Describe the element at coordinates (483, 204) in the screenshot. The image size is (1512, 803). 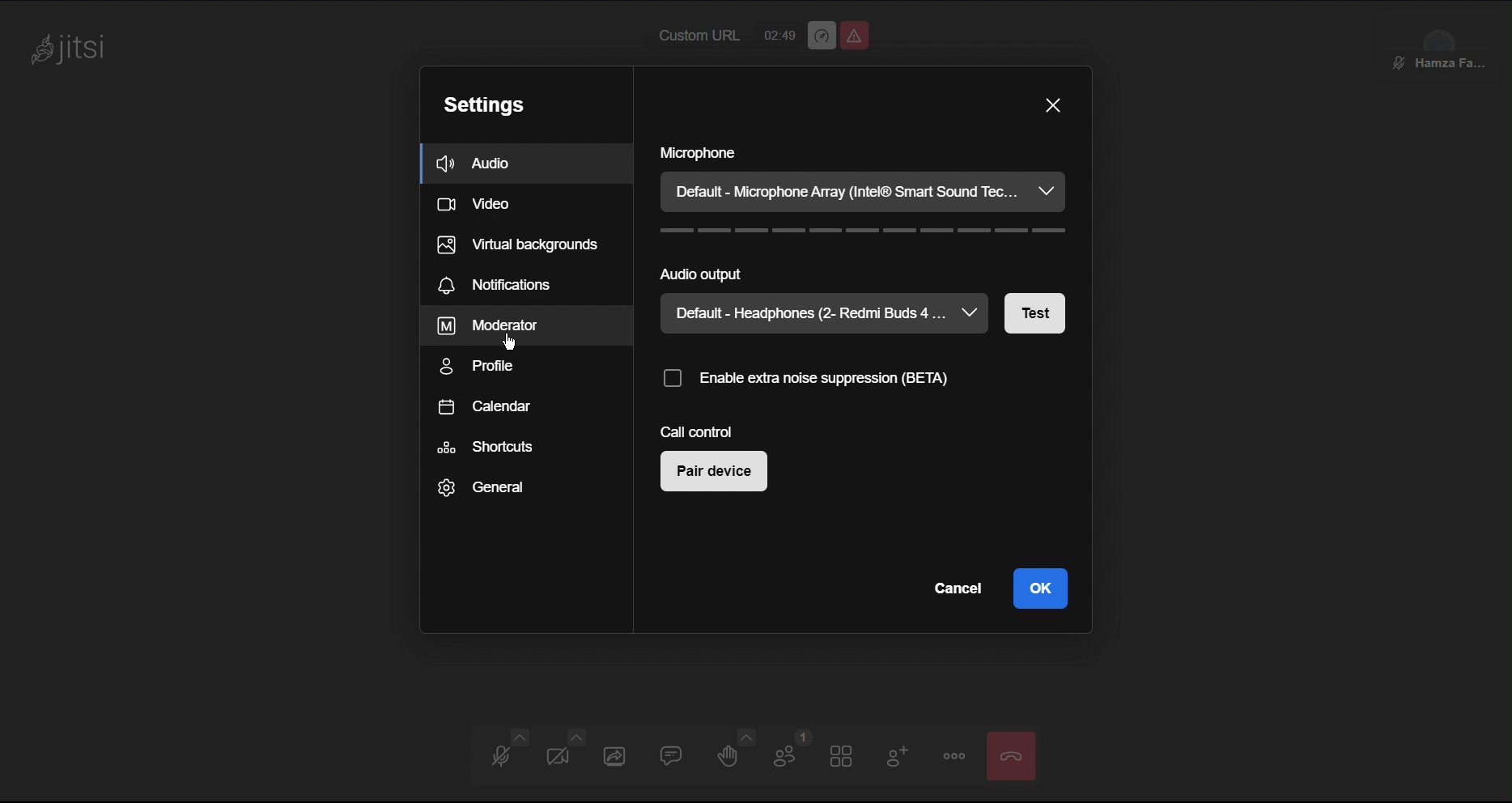
I see `Video` at that location.